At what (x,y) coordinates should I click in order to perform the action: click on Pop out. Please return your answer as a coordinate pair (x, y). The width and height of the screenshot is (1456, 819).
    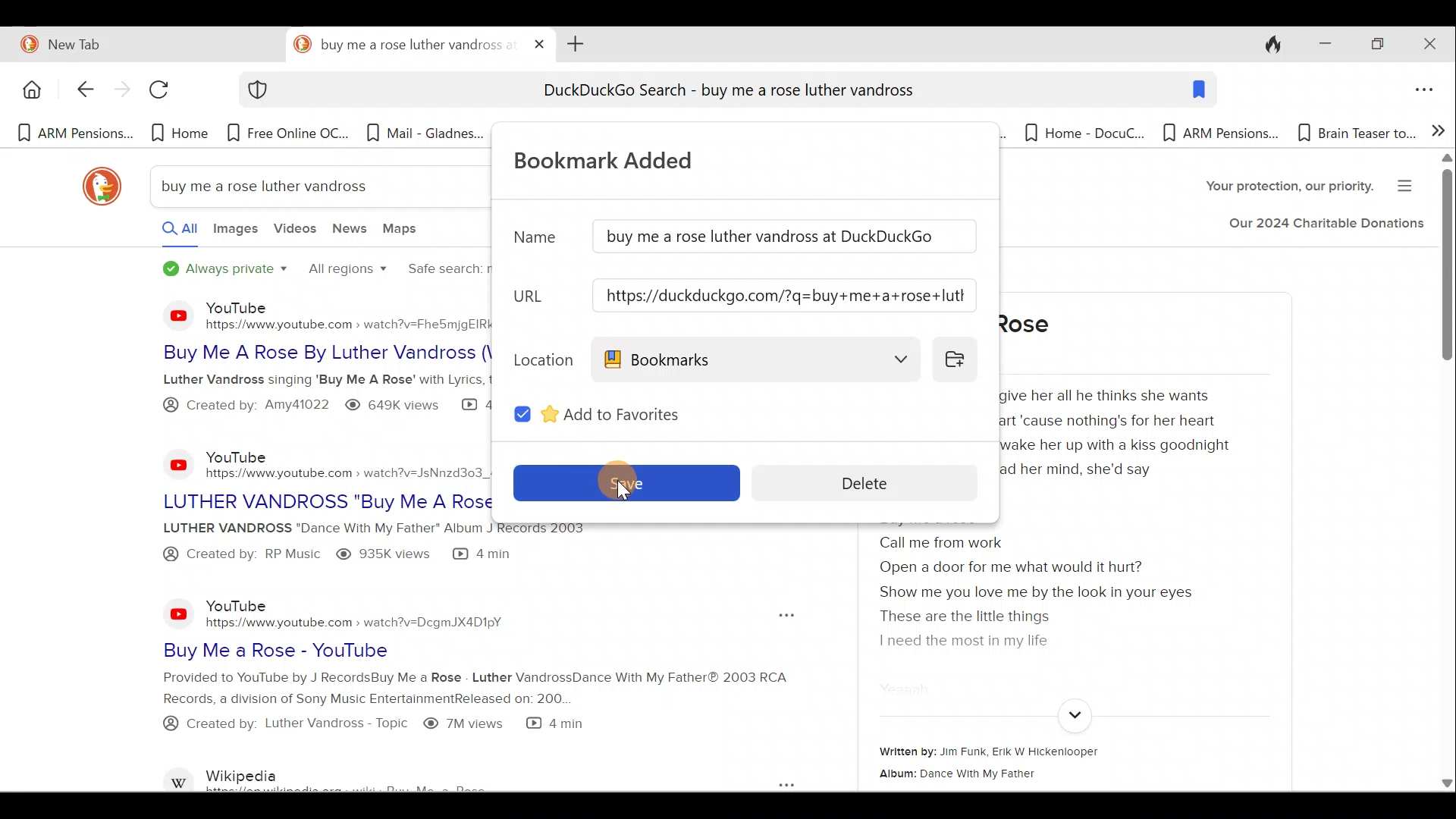
    Looking at the image, I should click on (770, 783).